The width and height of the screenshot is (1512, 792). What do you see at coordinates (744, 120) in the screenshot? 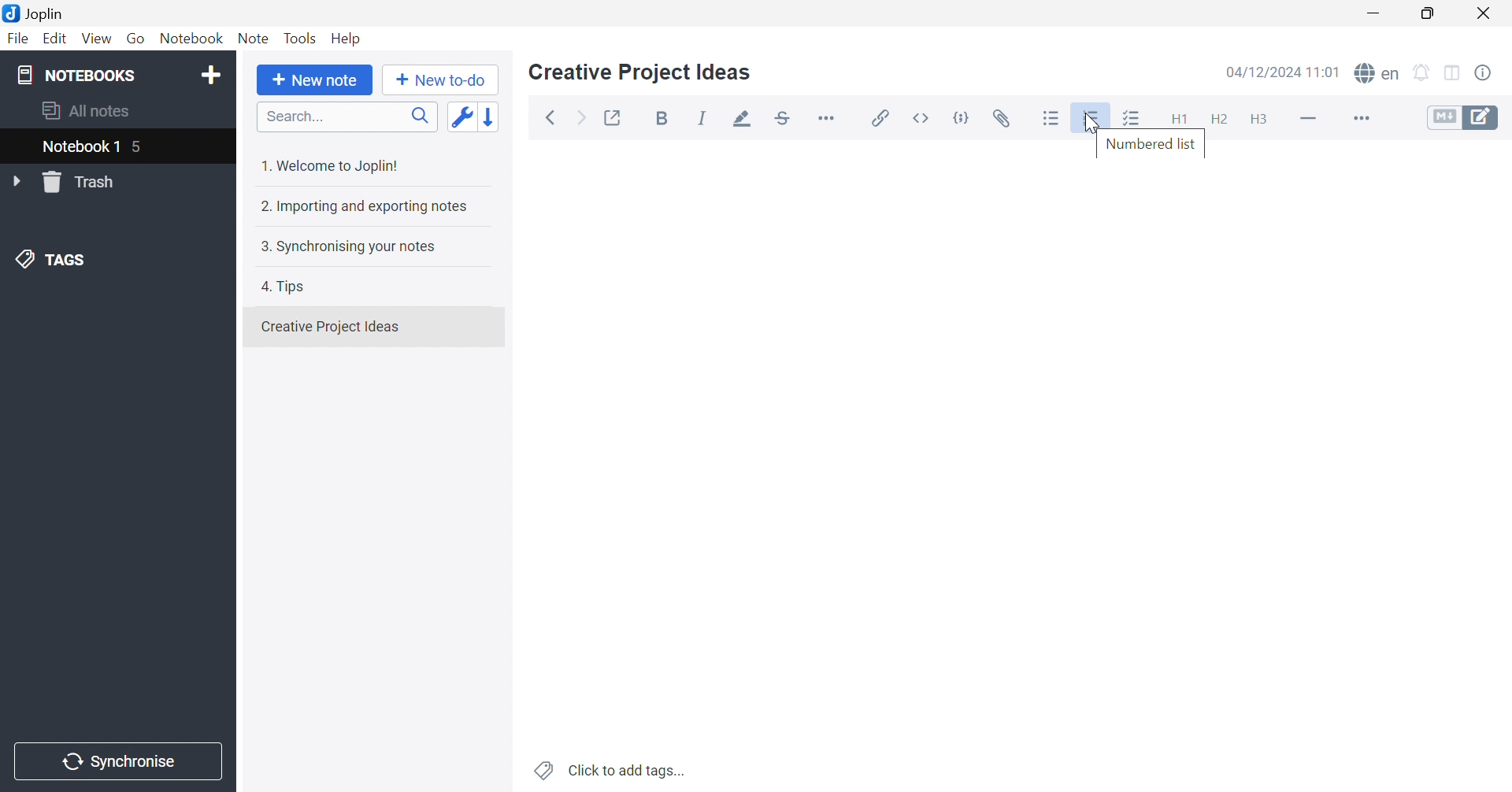
I see `Highlight` at bounding box center [744, 120].